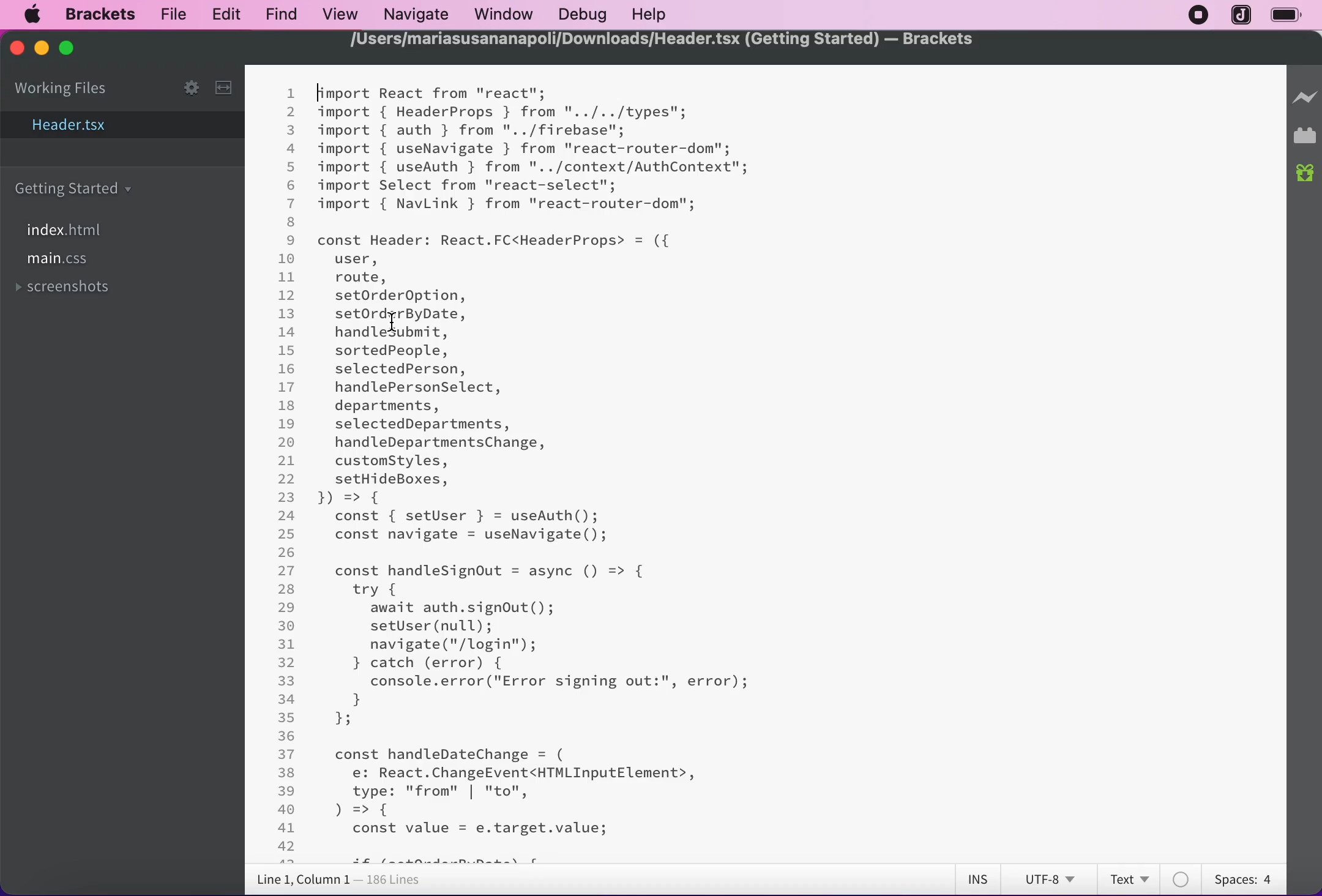  I want to click on debug, so click(578, 15).